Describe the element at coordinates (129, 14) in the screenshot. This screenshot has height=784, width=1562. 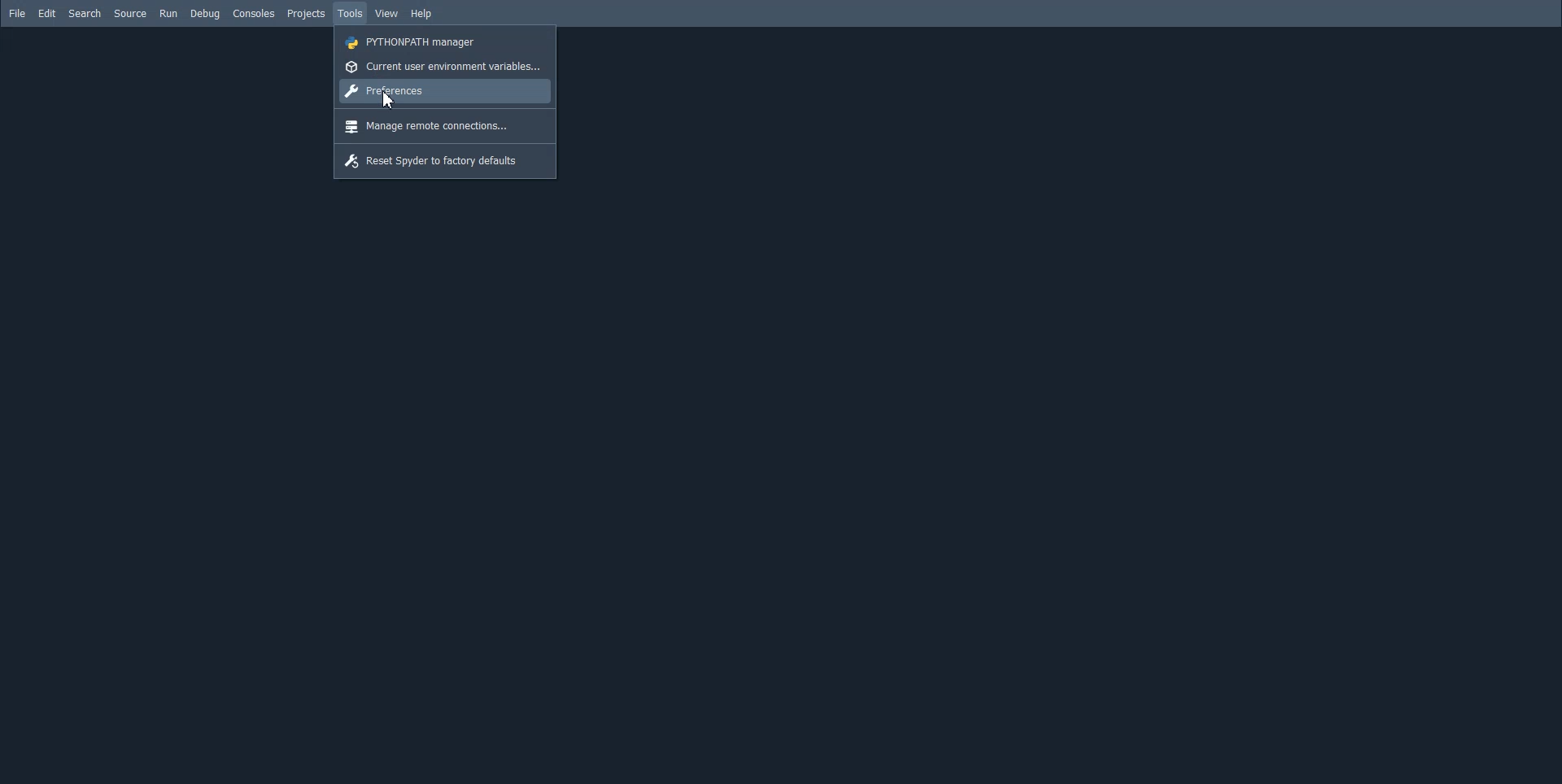
I see `Source` at that location.